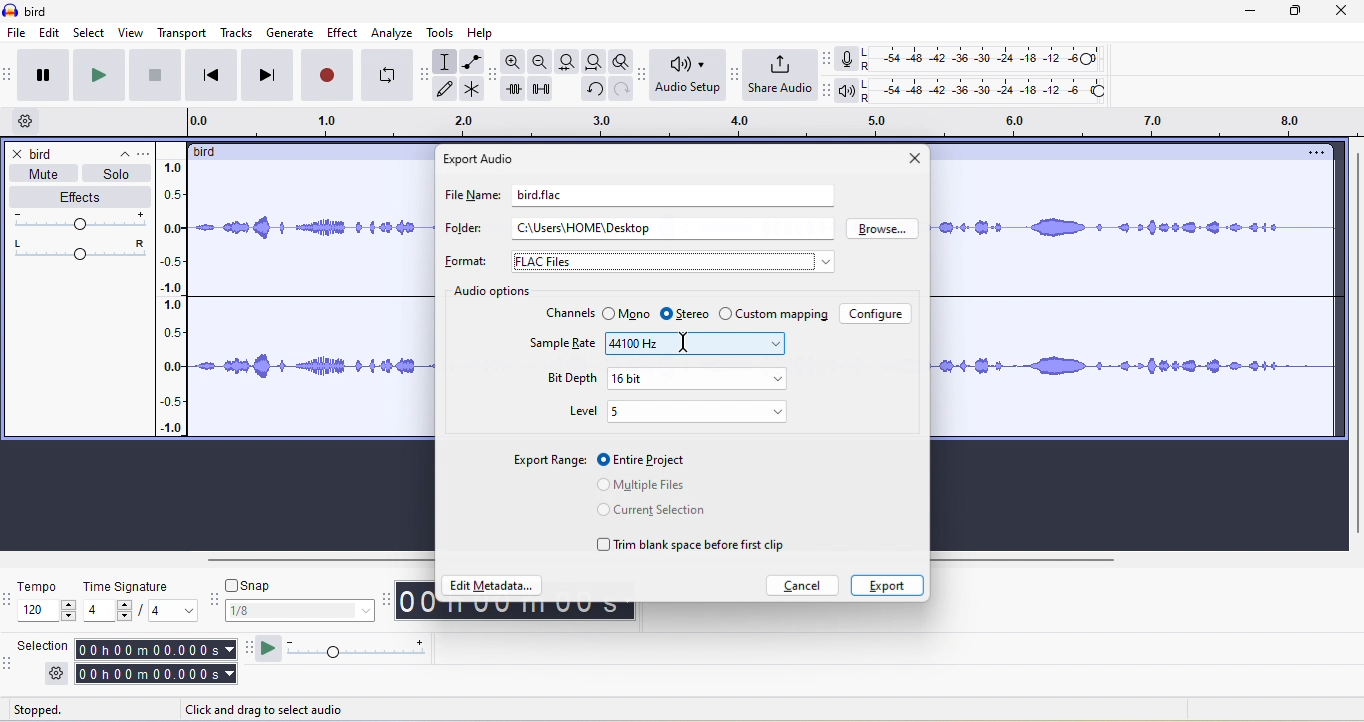 The image size is (1364, 722). Describe the element at coordinates (618, 95) in the screenshot. I see `redo` at that location.